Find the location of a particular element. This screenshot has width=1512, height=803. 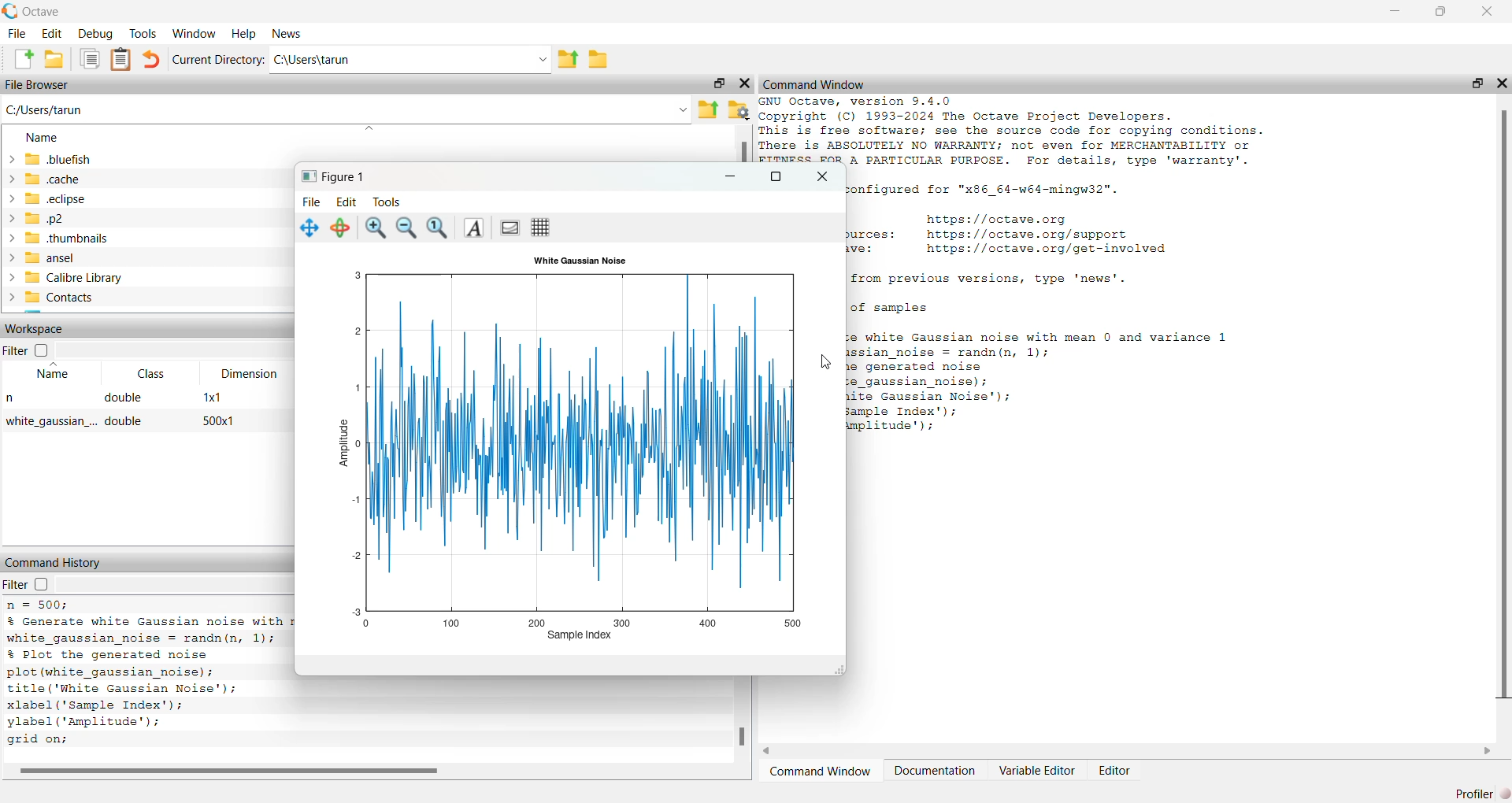

minimize is located at coordinates (1393, 13).